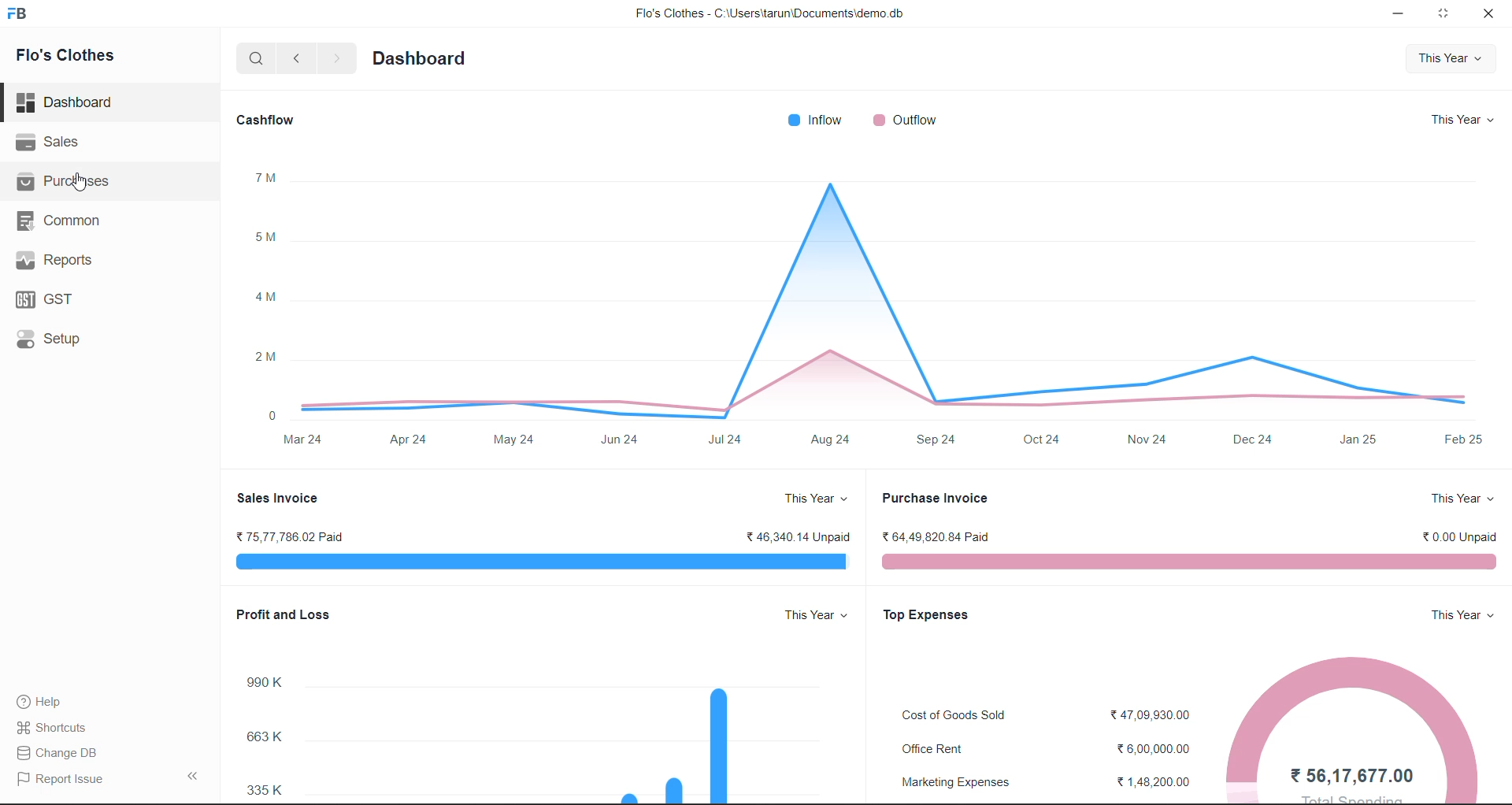 The height and width of the screenshot is (805, 1512). Describe the element at coordinates (269, 179) in the screenshot. I see `7m` at that location.